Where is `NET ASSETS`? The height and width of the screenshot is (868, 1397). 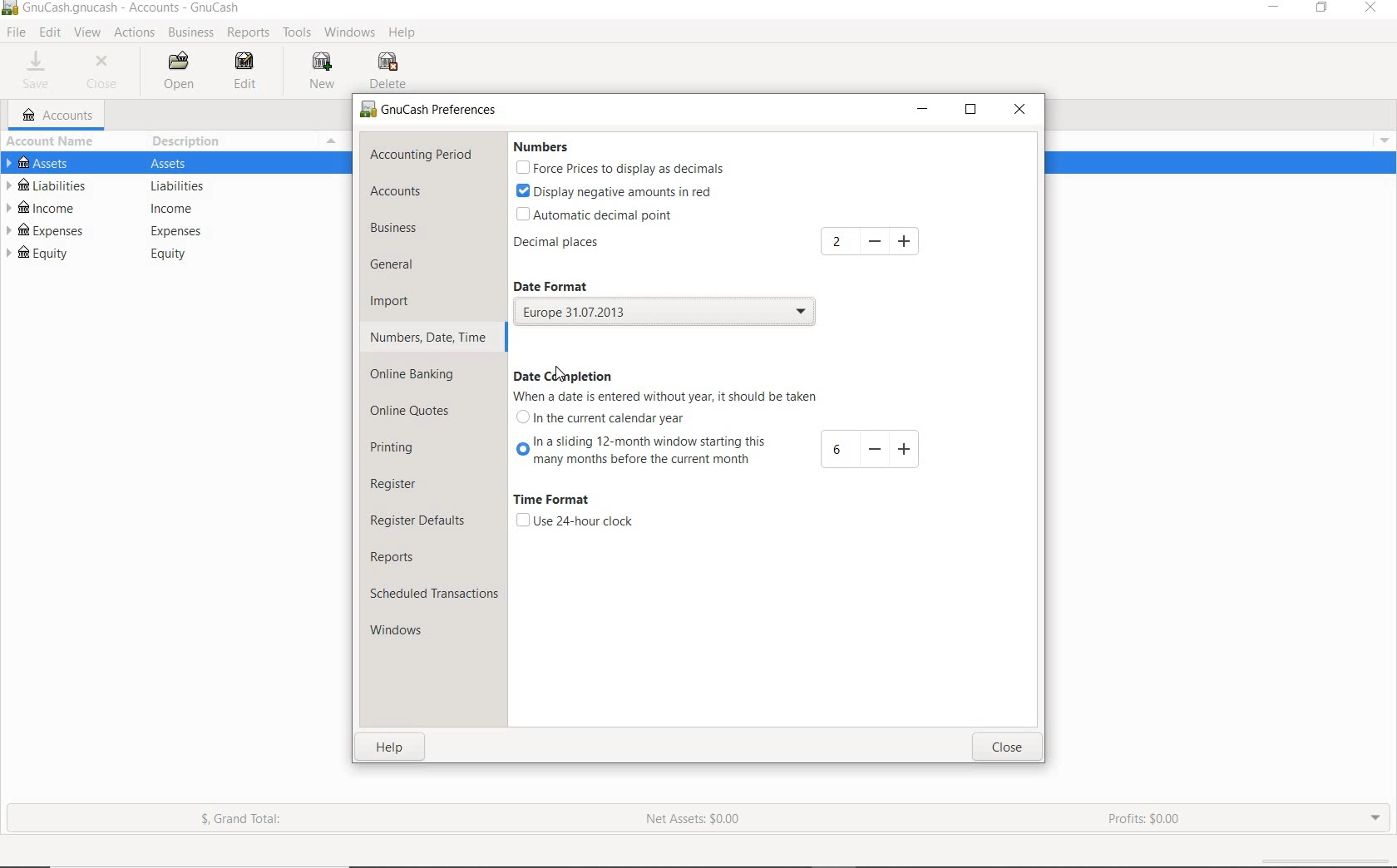
NET ASSETS is located at coordinates (693, 824).